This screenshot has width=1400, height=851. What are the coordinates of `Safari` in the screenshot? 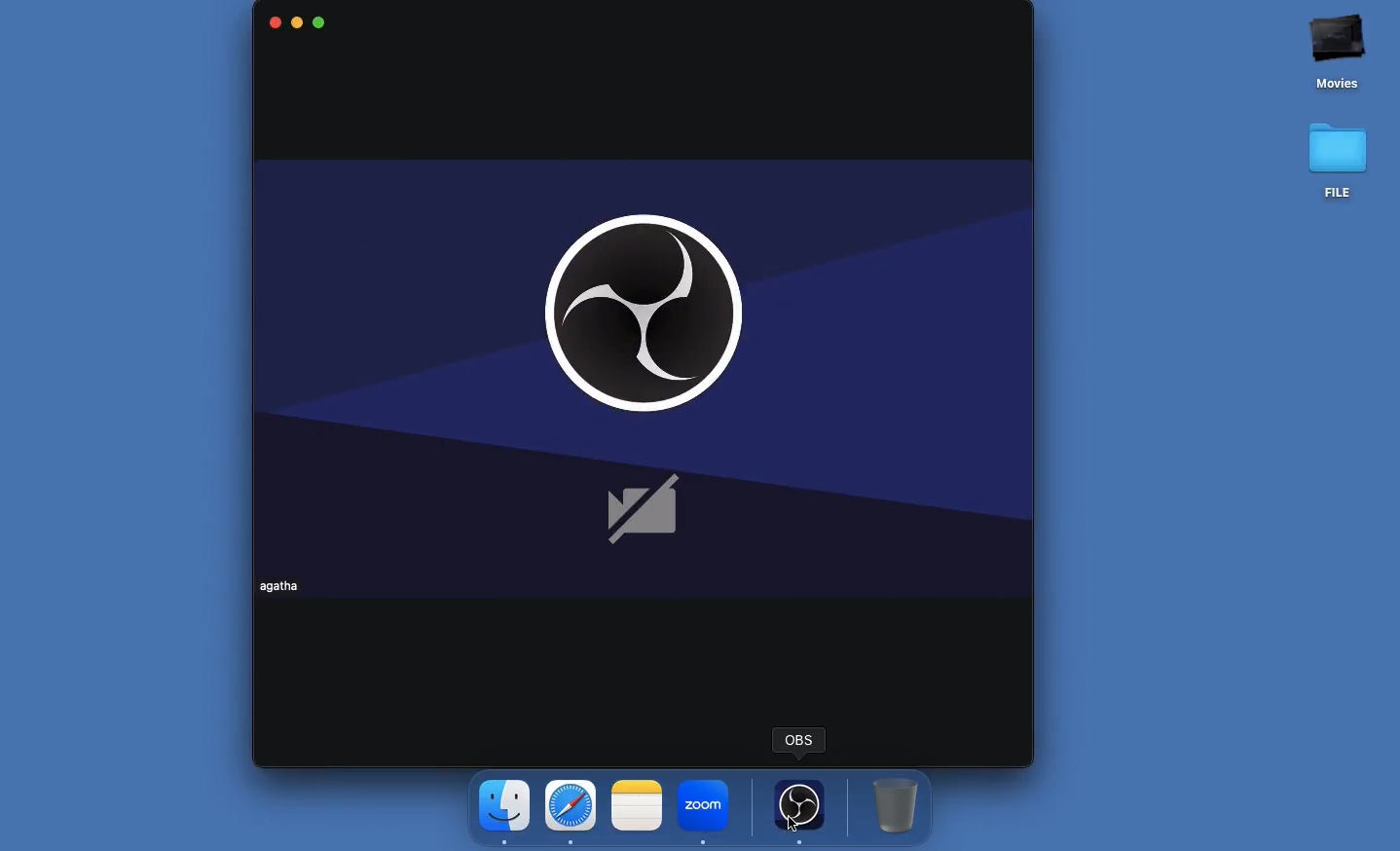 It's located at (571, 810).